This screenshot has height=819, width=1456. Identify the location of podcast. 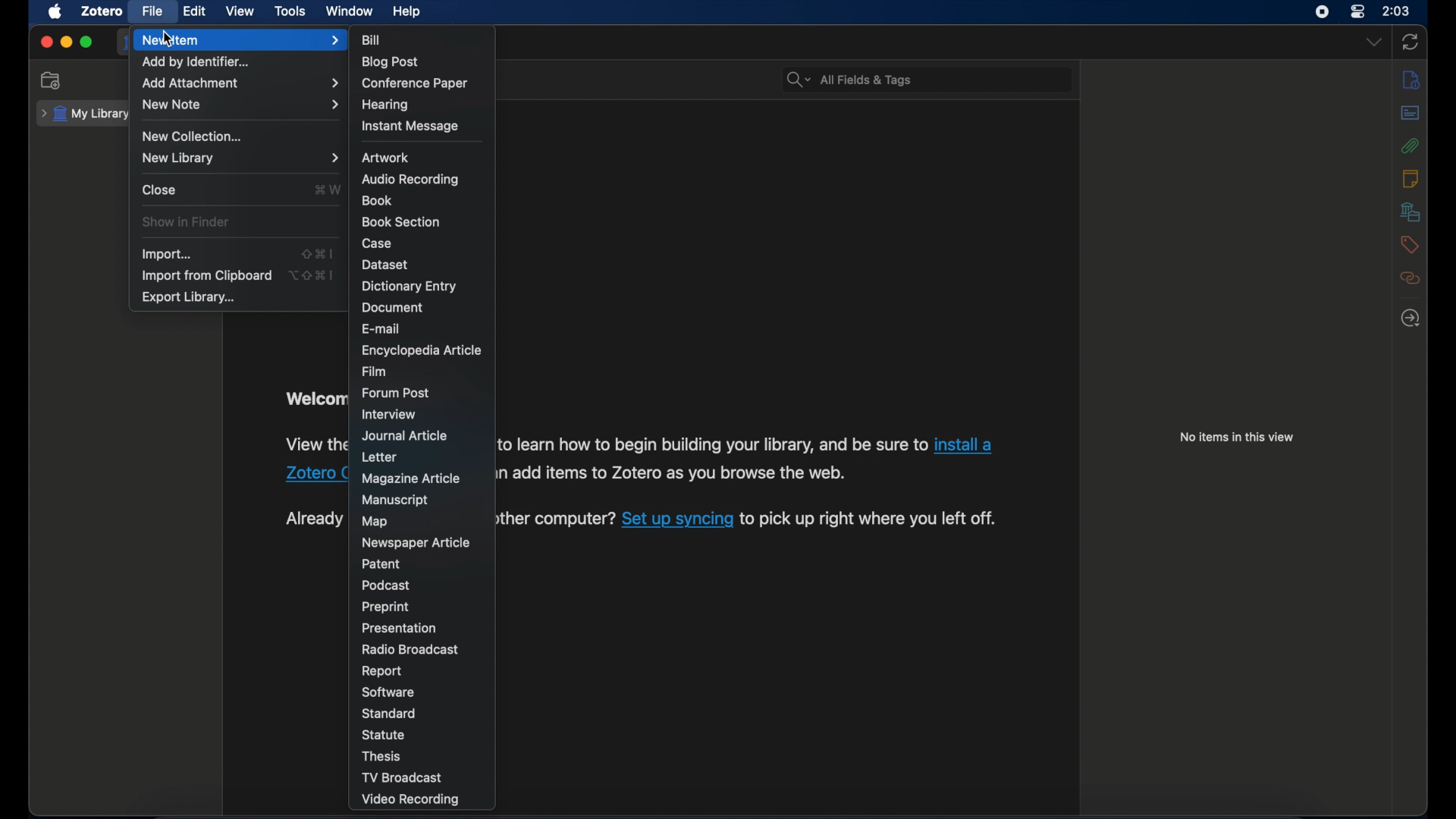
(386, 585).